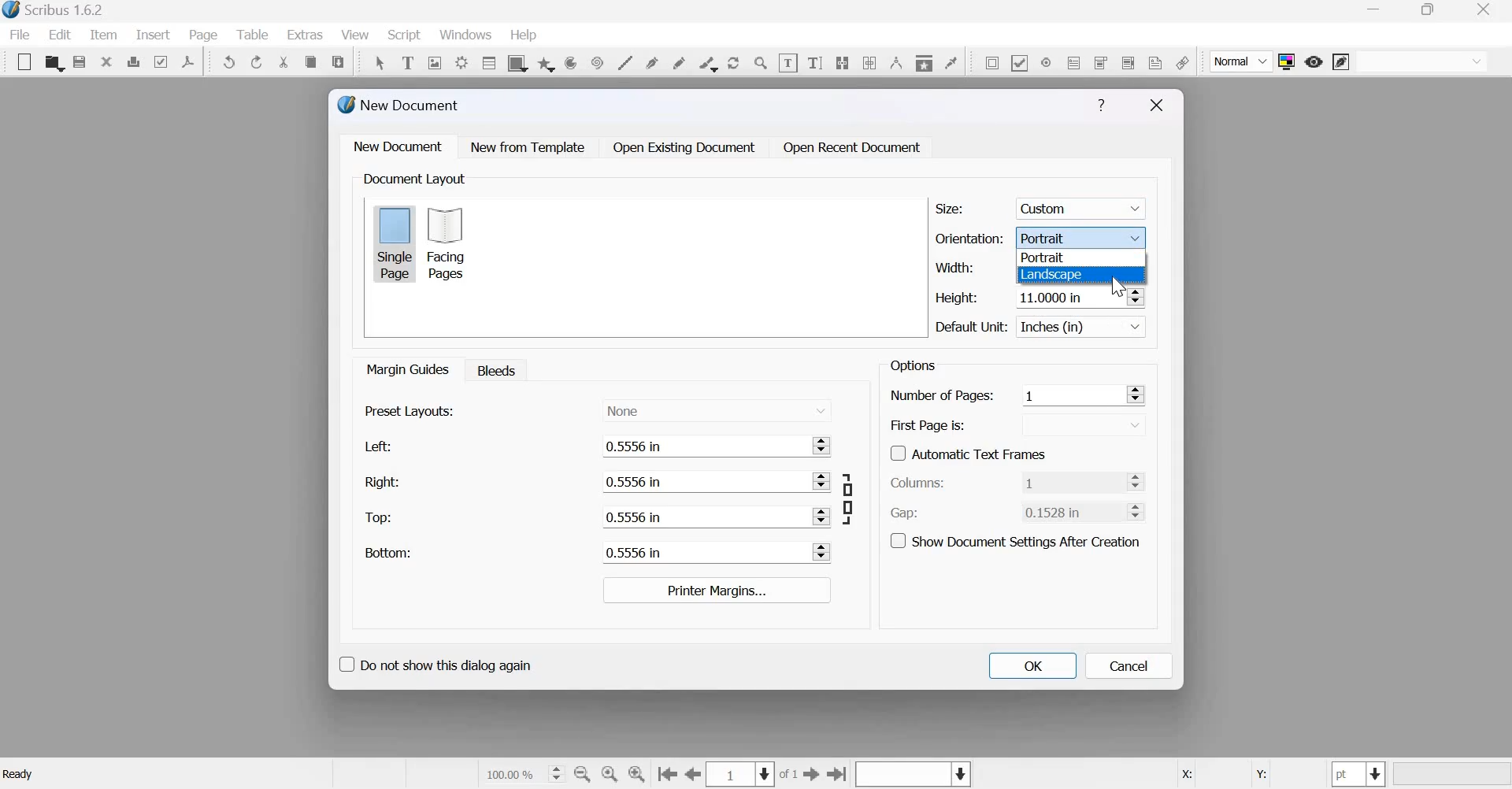 The width and height of the screenshot is (1512, 789). Describe the element at coordinates (667, 775) in the screenshot. I see `Go to the first page` at that location.